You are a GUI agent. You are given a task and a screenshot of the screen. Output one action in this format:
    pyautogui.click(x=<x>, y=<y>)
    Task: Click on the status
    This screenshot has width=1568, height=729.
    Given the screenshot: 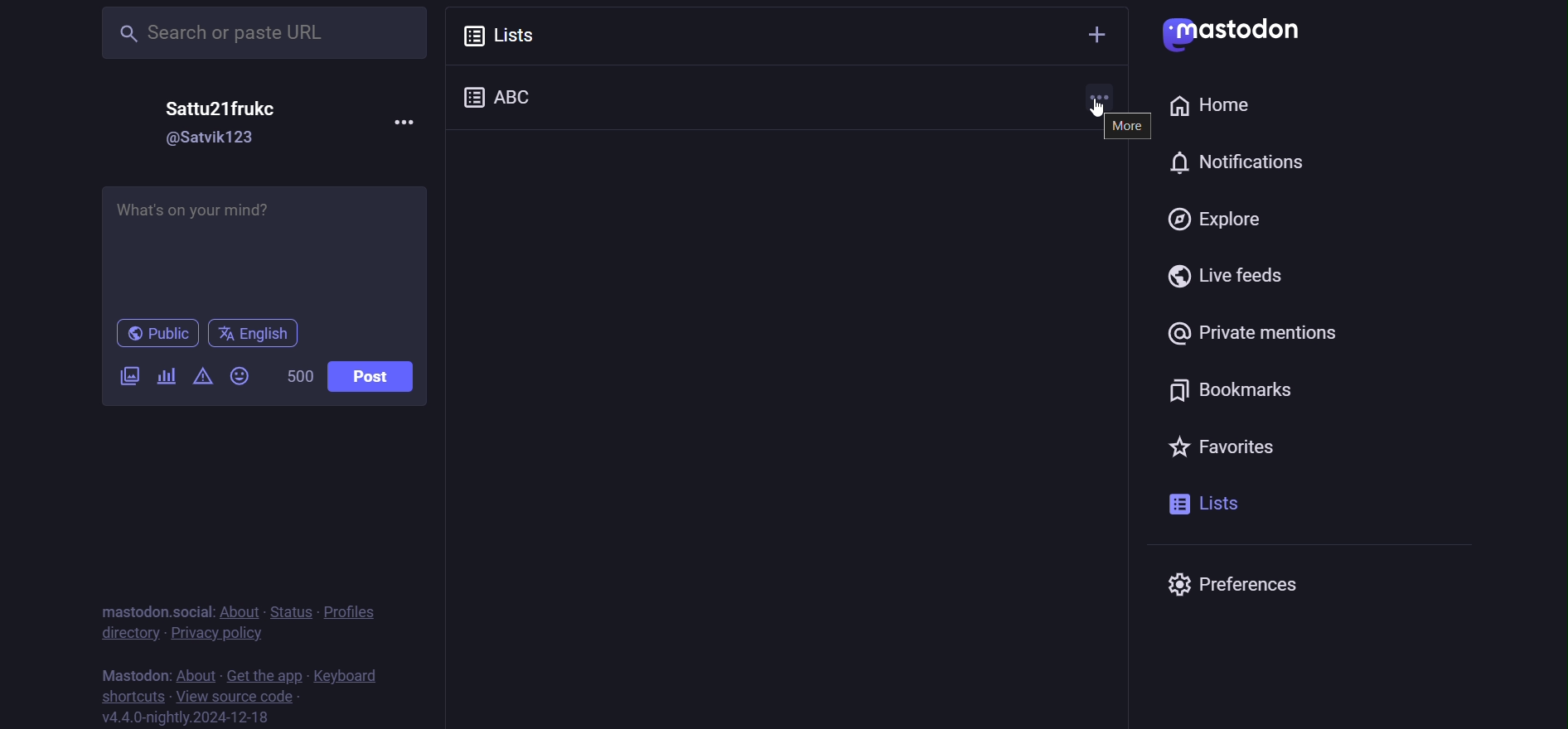 What is the action you would take?
    pyautogui.click(x=287, y=608)
    